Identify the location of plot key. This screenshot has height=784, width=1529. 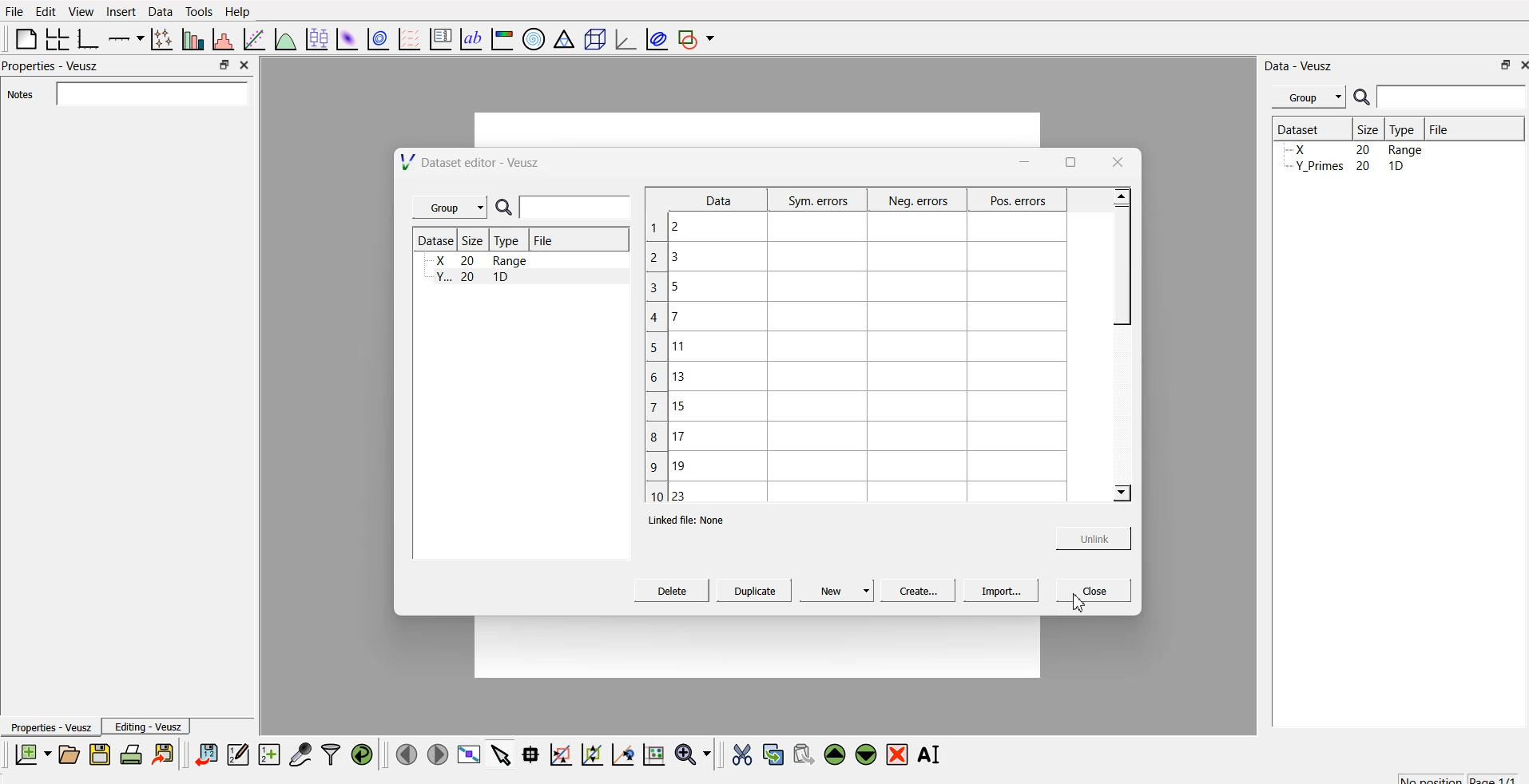
(441, 37).